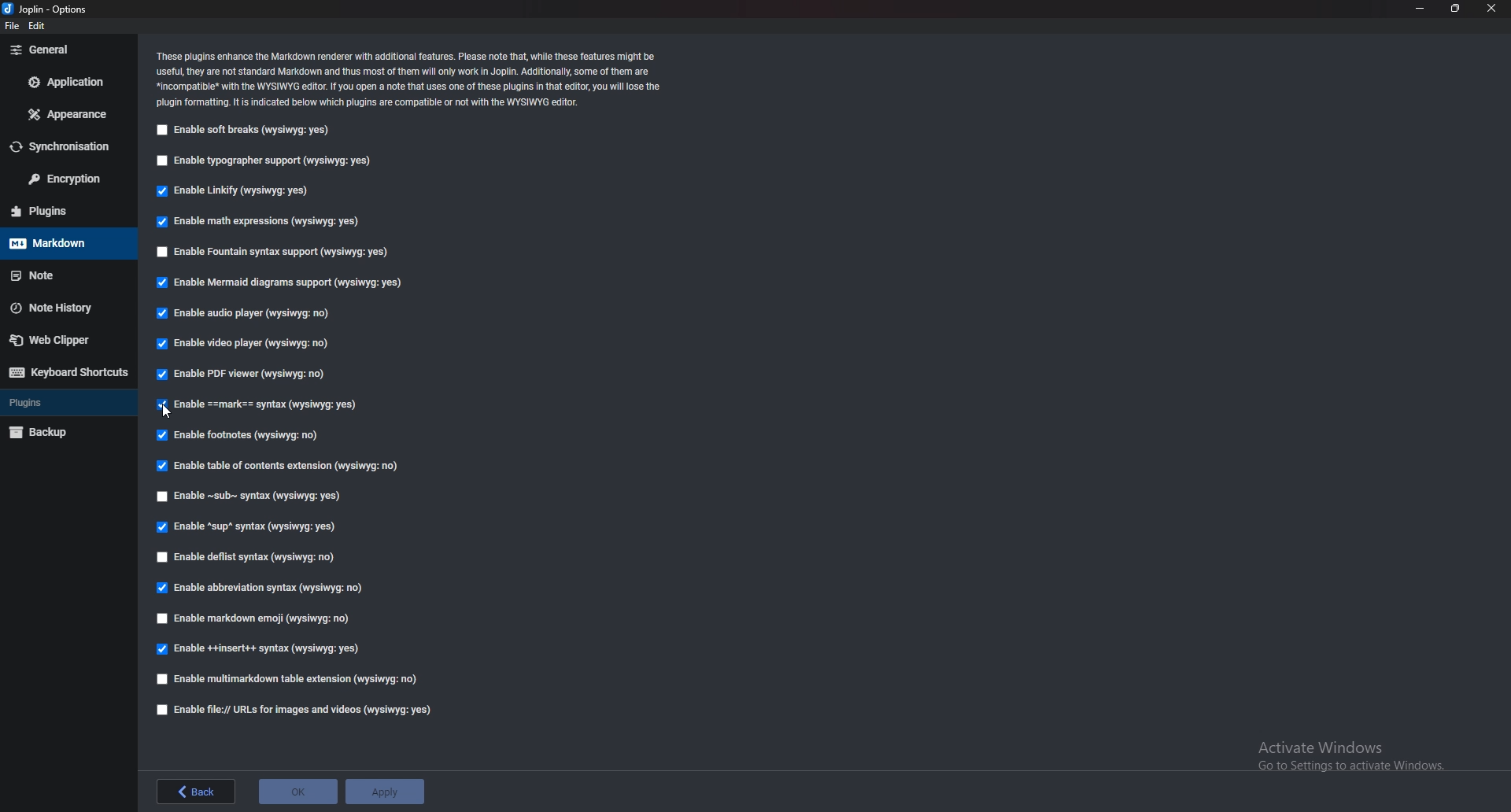 The image size is (1511, 812). I want to click on Activate Windows
Go to Settings to activate Windows., so click(1343, 751).